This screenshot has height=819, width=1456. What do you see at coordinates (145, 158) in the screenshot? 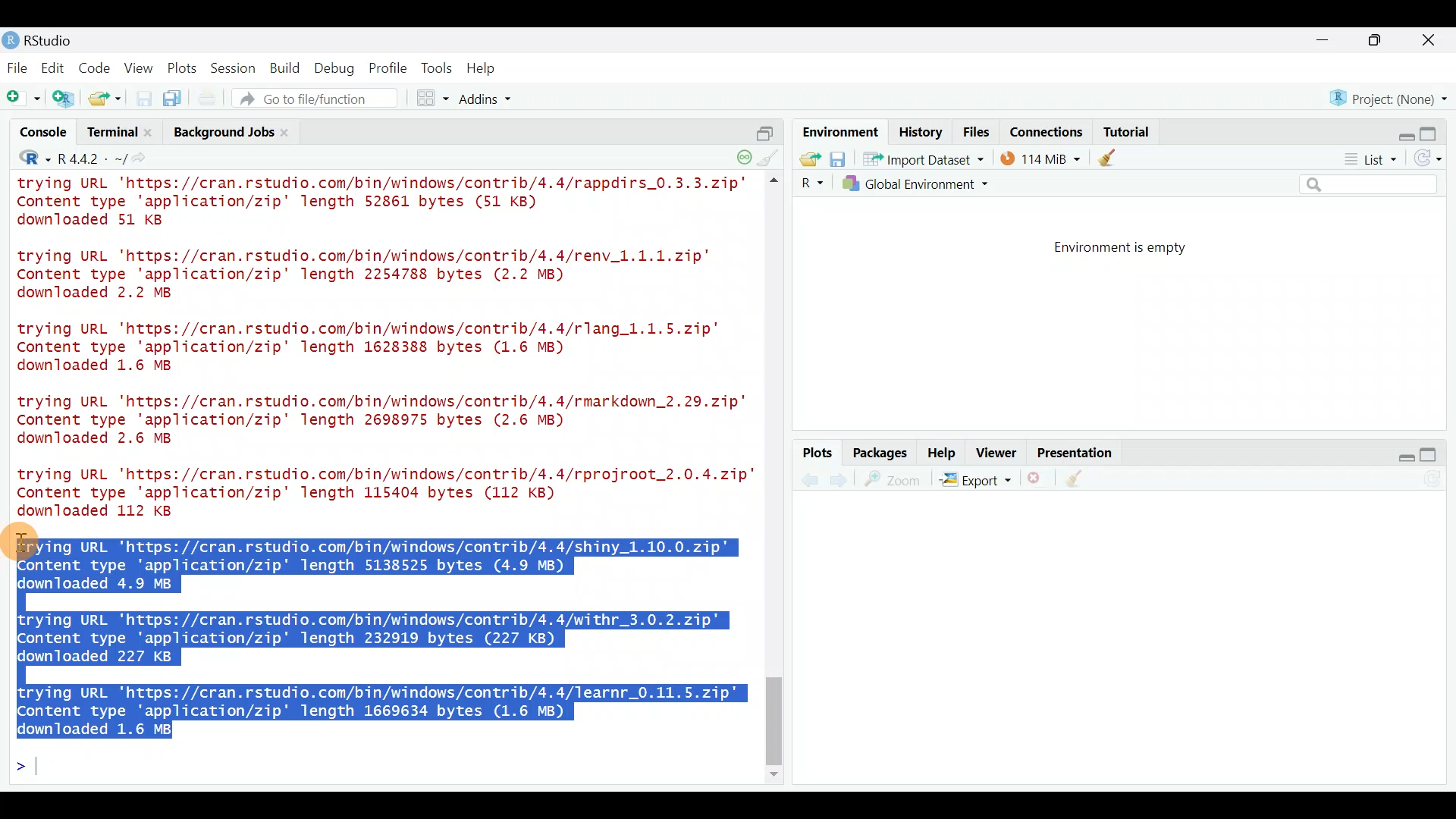
I see `view the current working directory` at bounding box center [145, 158].